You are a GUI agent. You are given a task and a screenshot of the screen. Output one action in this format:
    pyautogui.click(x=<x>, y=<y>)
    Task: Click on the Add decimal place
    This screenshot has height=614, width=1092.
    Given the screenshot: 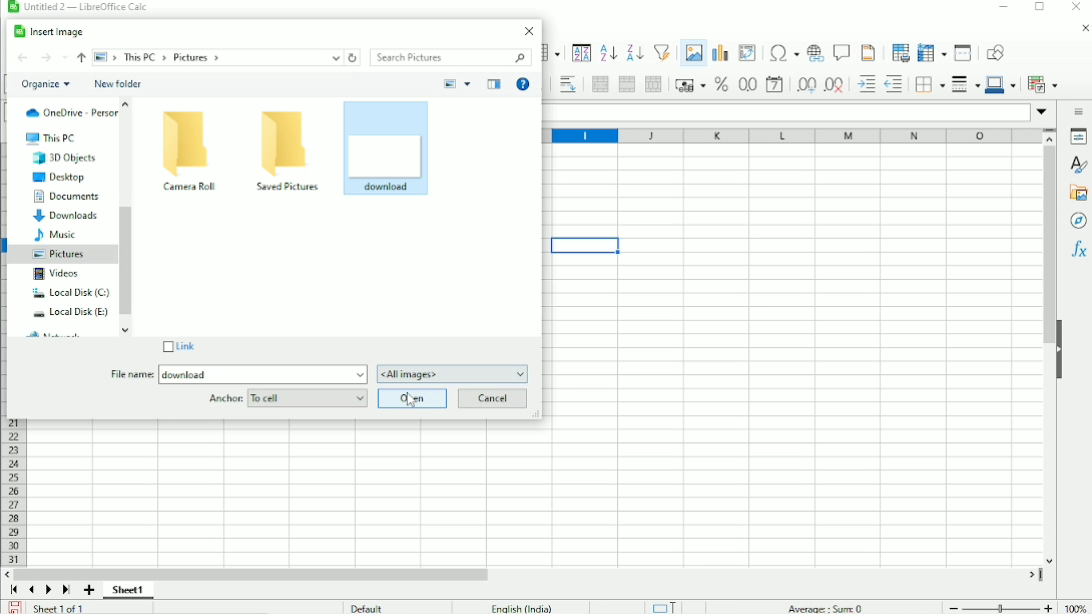 What is the action you would take?
    pyautogui.click(x=804, y=85)
    